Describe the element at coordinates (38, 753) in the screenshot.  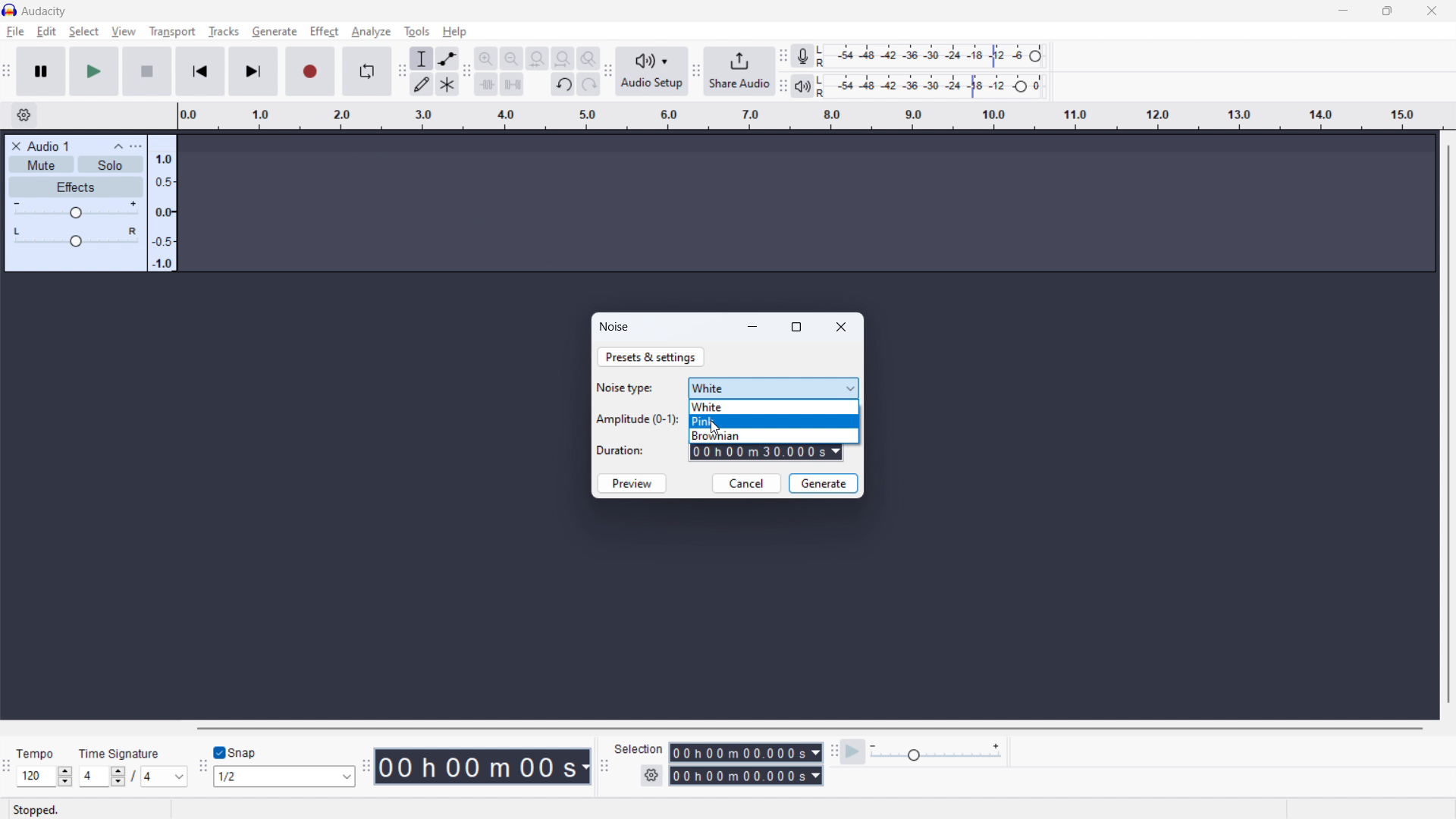
I see `Tempo` at that location.